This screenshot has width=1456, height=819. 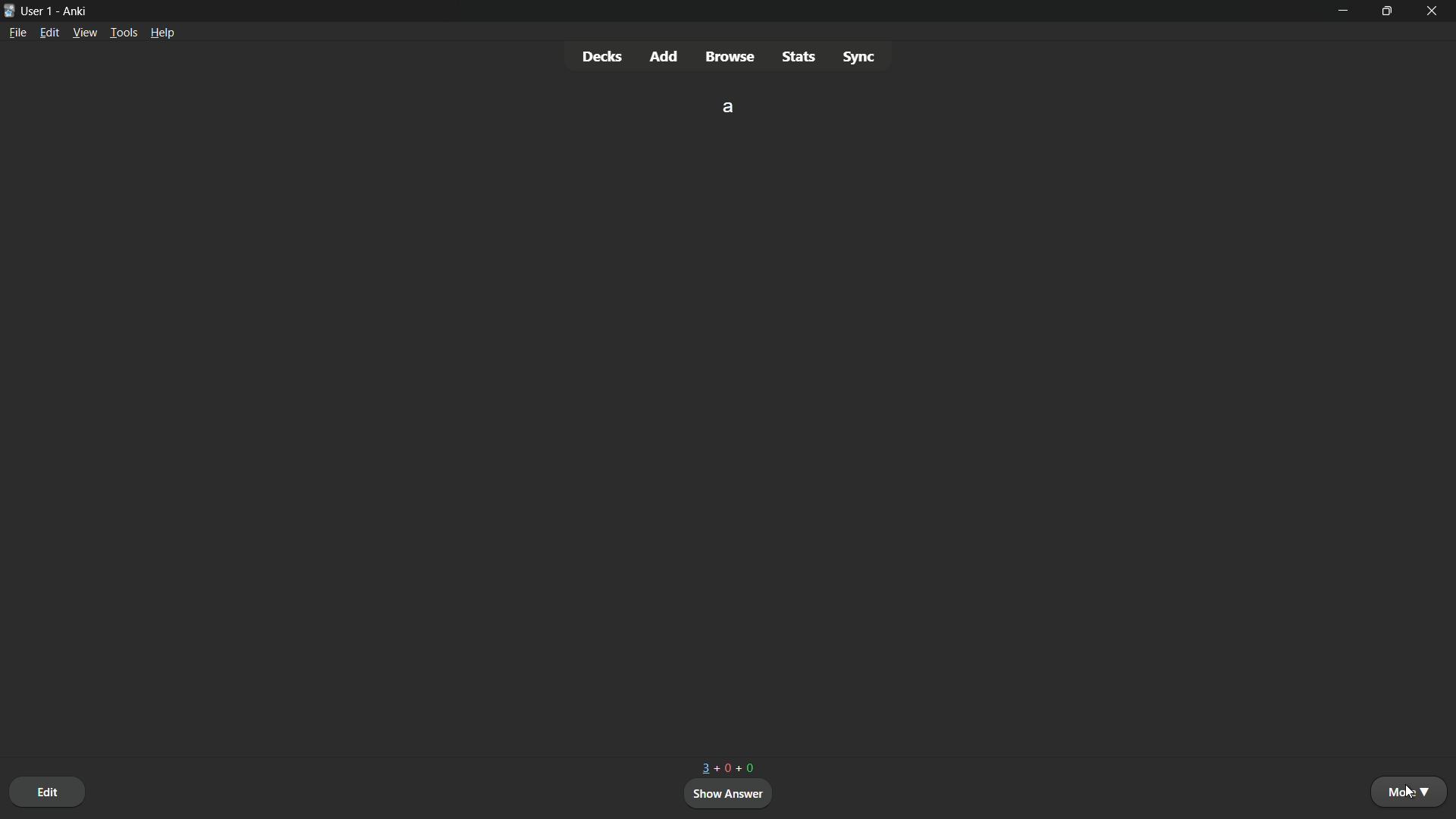 What do you see at coordinates (723, 767) in the screenshot?
I see `+0` at bounding box center [723, 767].